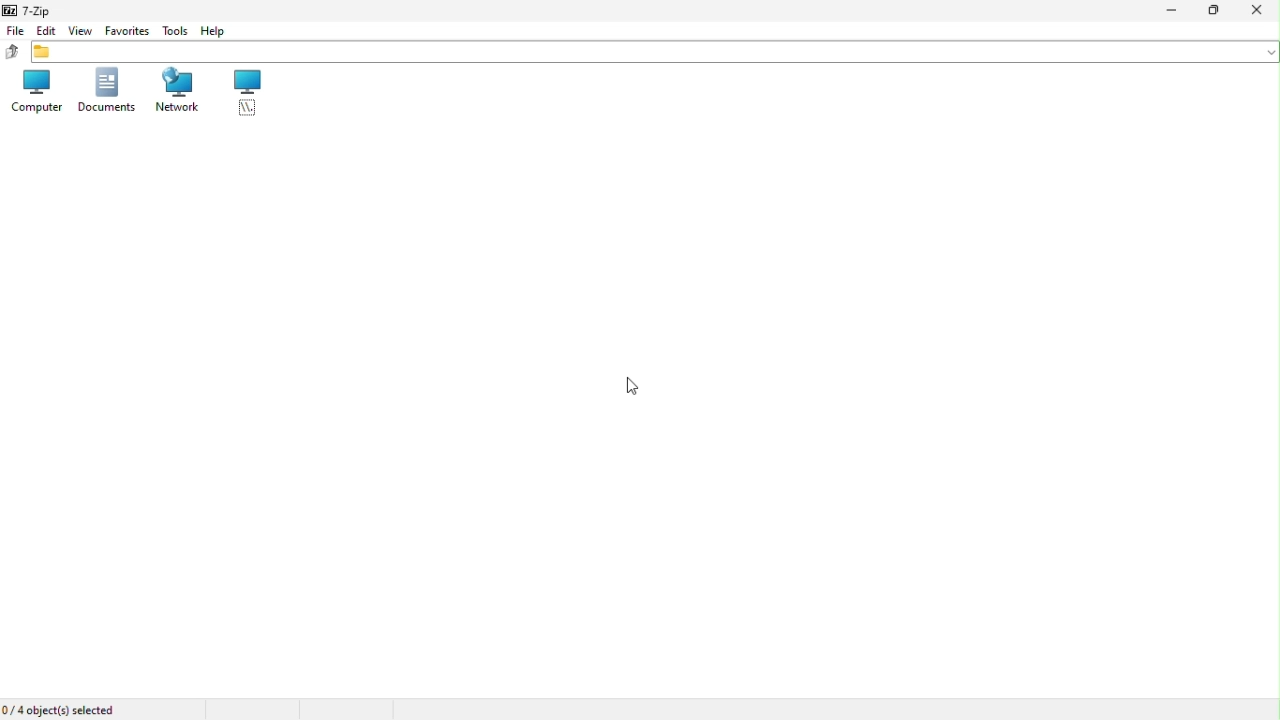 Image resolution: width=1280 pixels, height=720 pixels. Describe the element at coordinates (47, 30) in the screenshot. I see `edit` at that location.